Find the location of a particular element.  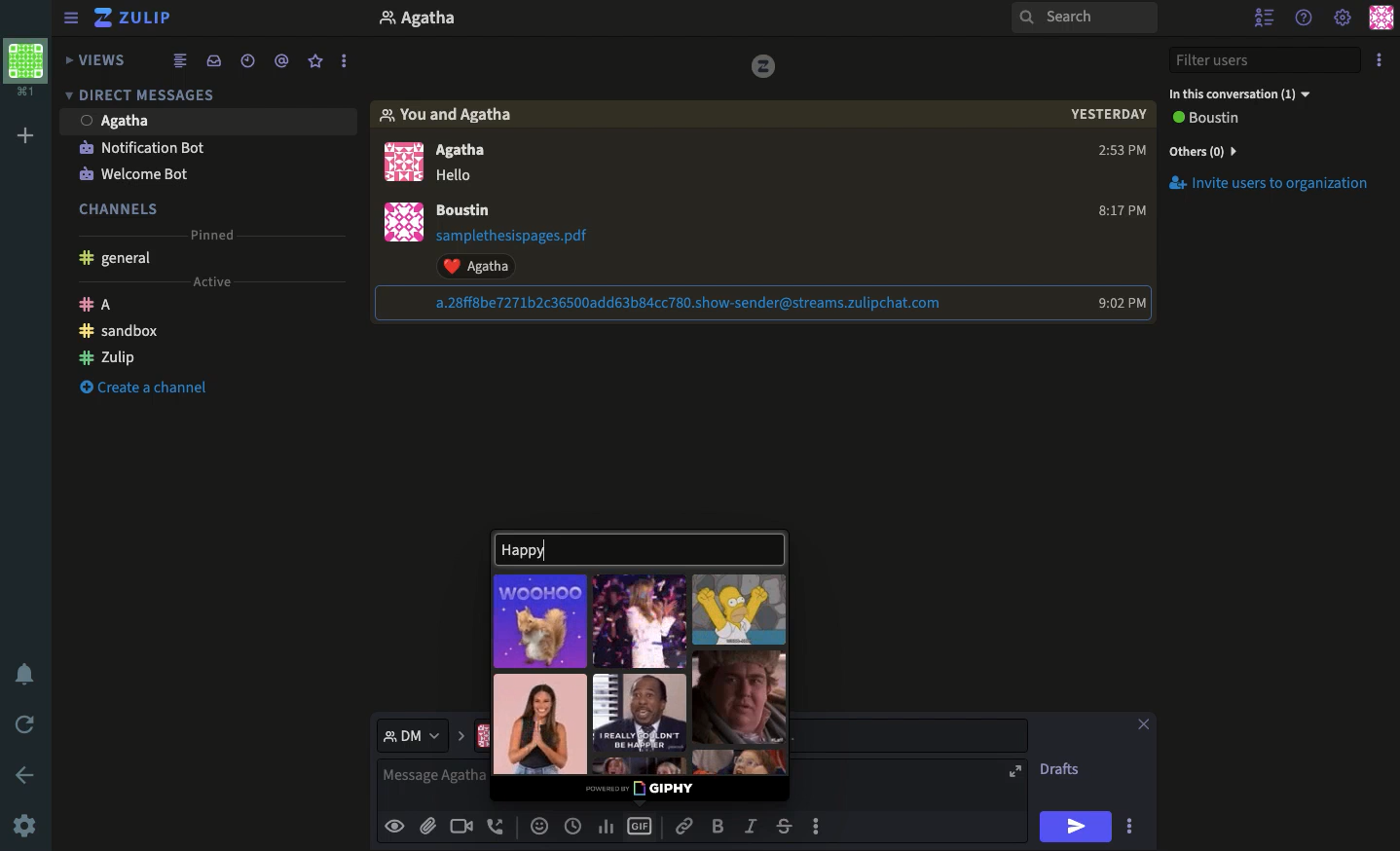

Feed is located at coordinates (186, 61).